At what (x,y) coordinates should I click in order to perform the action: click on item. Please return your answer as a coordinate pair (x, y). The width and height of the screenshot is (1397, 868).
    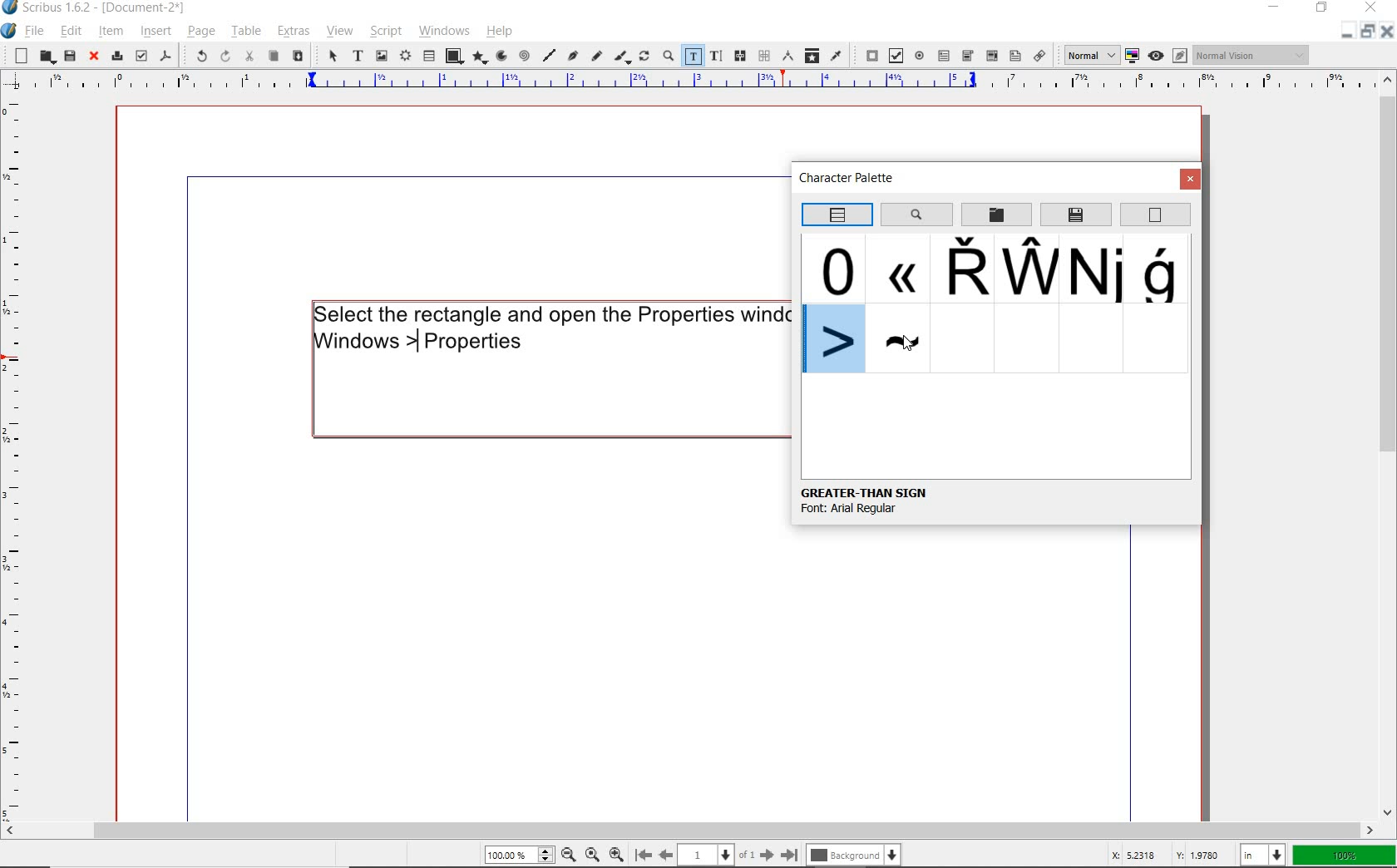
    Looking at the image, I should click on (109, 31).